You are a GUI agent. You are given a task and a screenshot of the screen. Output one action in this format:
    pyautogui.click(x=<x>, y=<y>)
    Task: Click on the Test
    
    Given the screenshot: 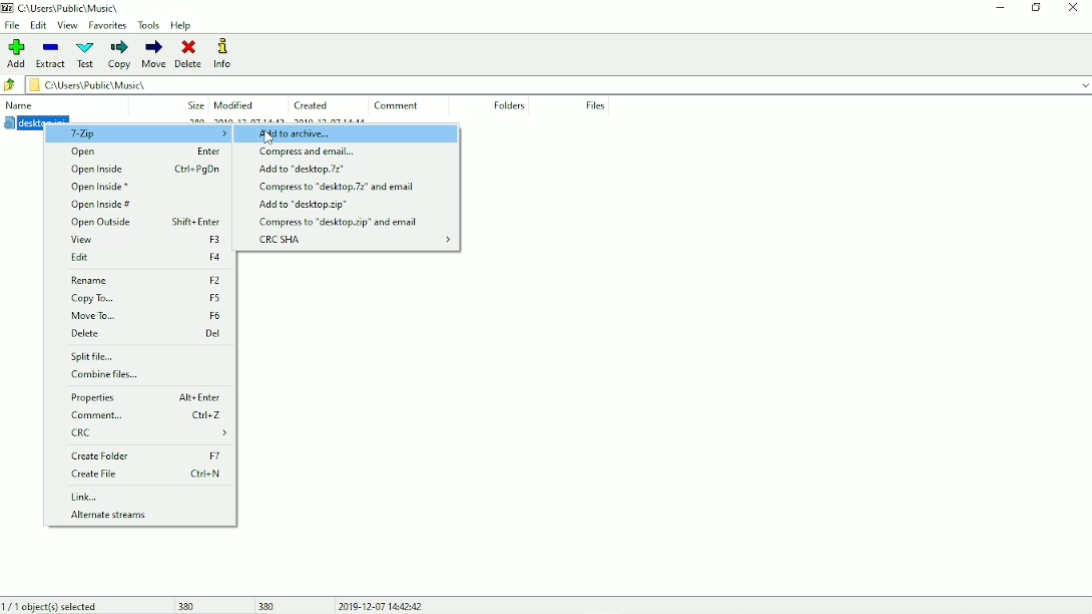 What is the action you would take?
    pyautogui.click(x=86, y=55)
    